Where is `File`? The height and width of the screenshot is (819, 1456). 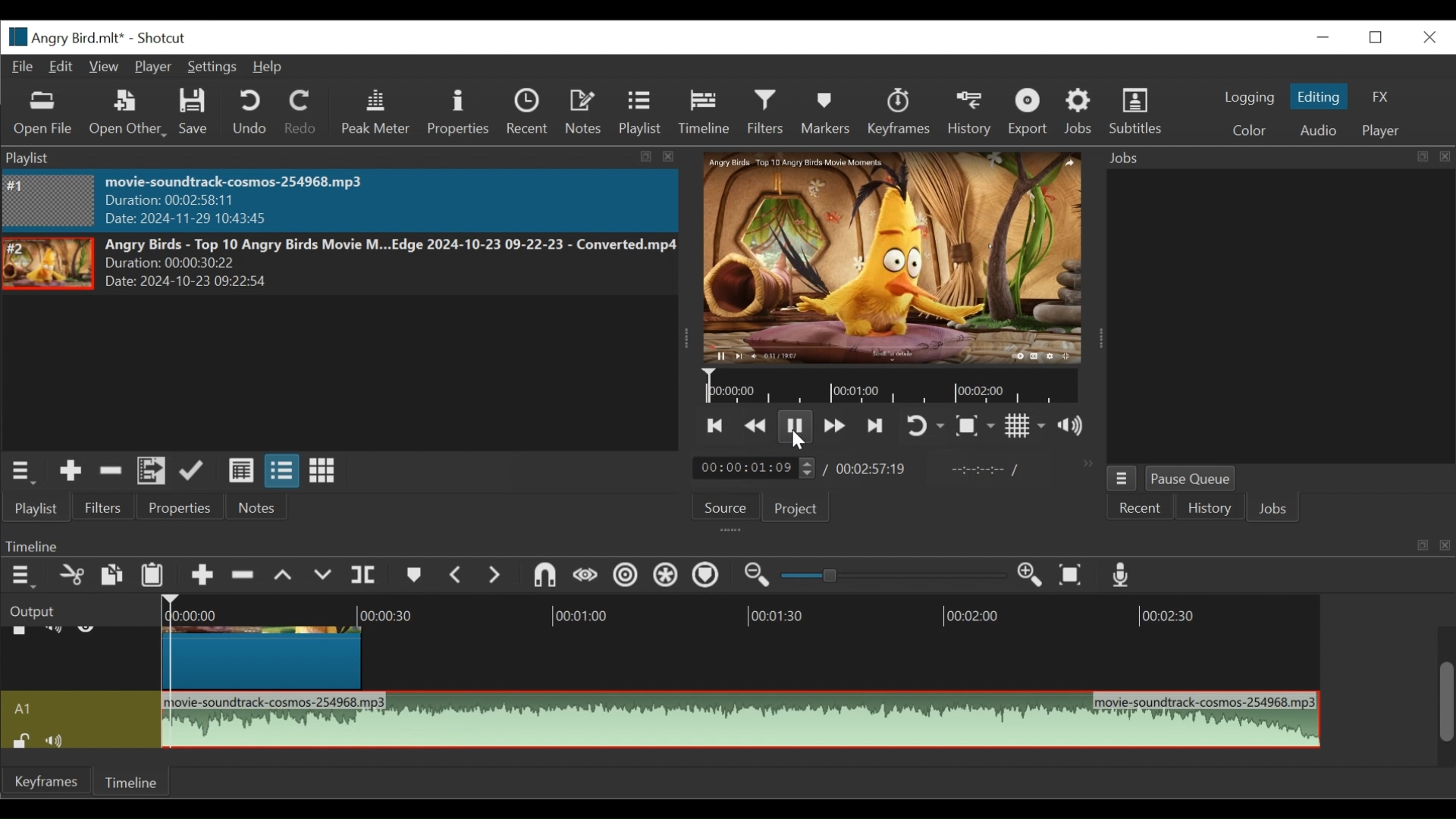
File is located at coordinates (24, 66).